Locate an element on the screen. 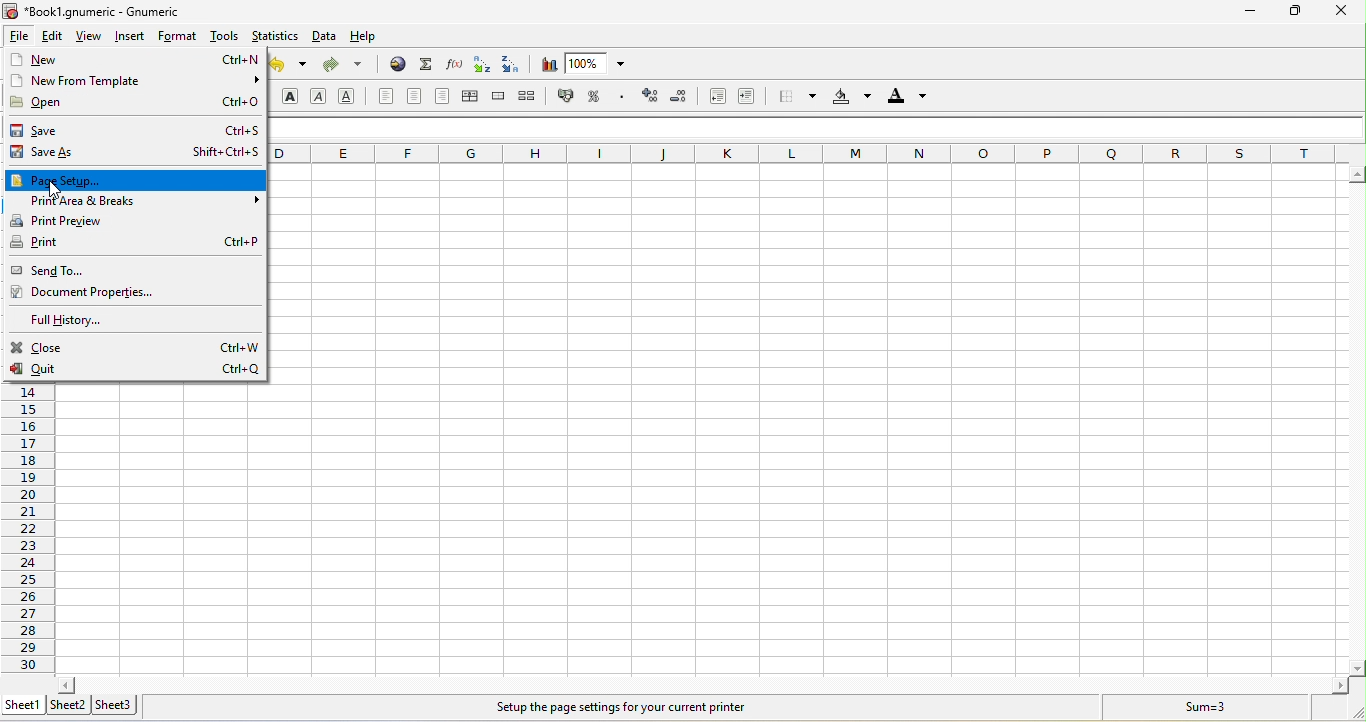  increase the indent is located at coordinates (748, 99).